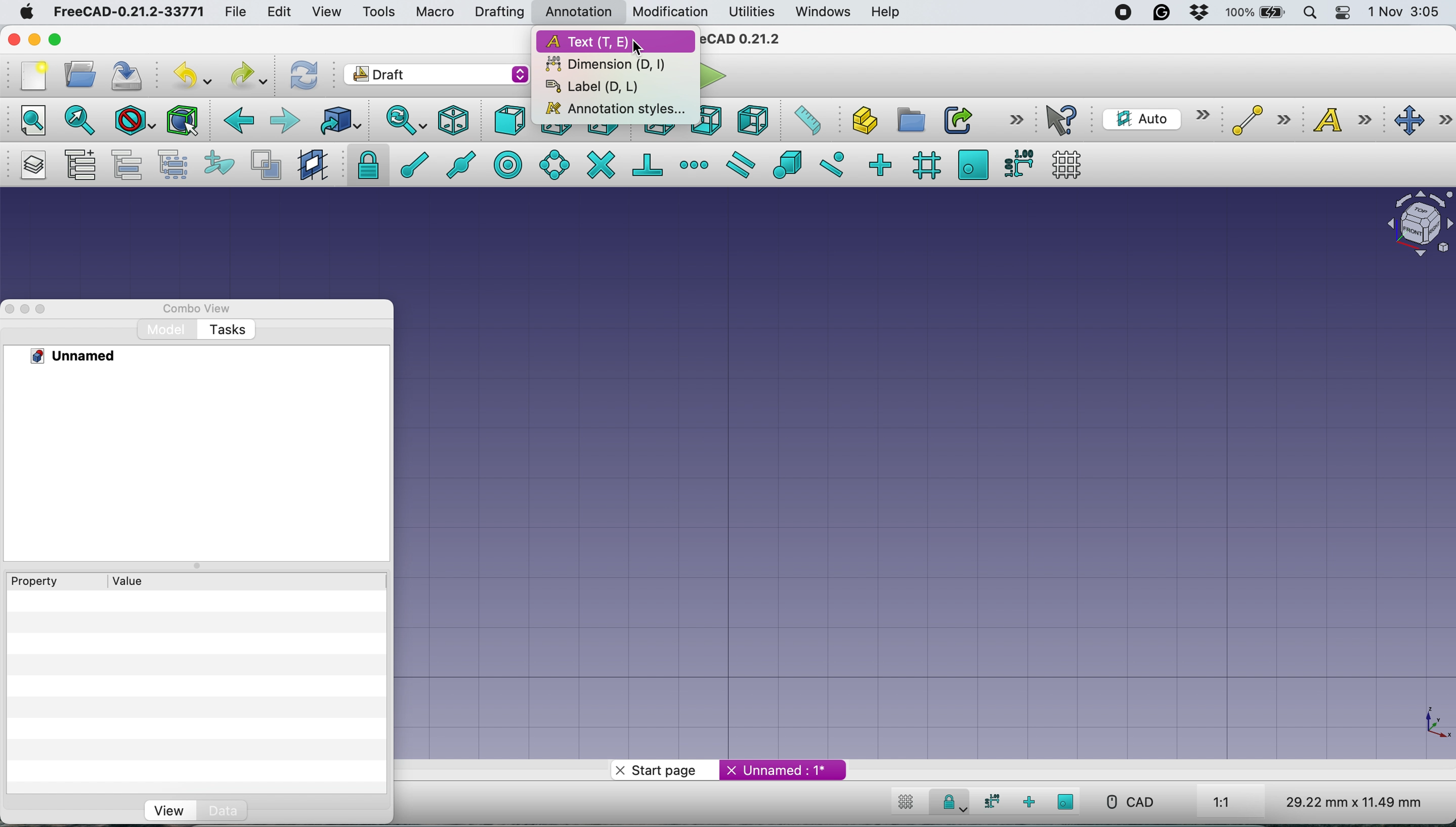  What do you see at coordinates (830, 165) in the screenshot?
I see `snap near` at bounding box center [830, 165].